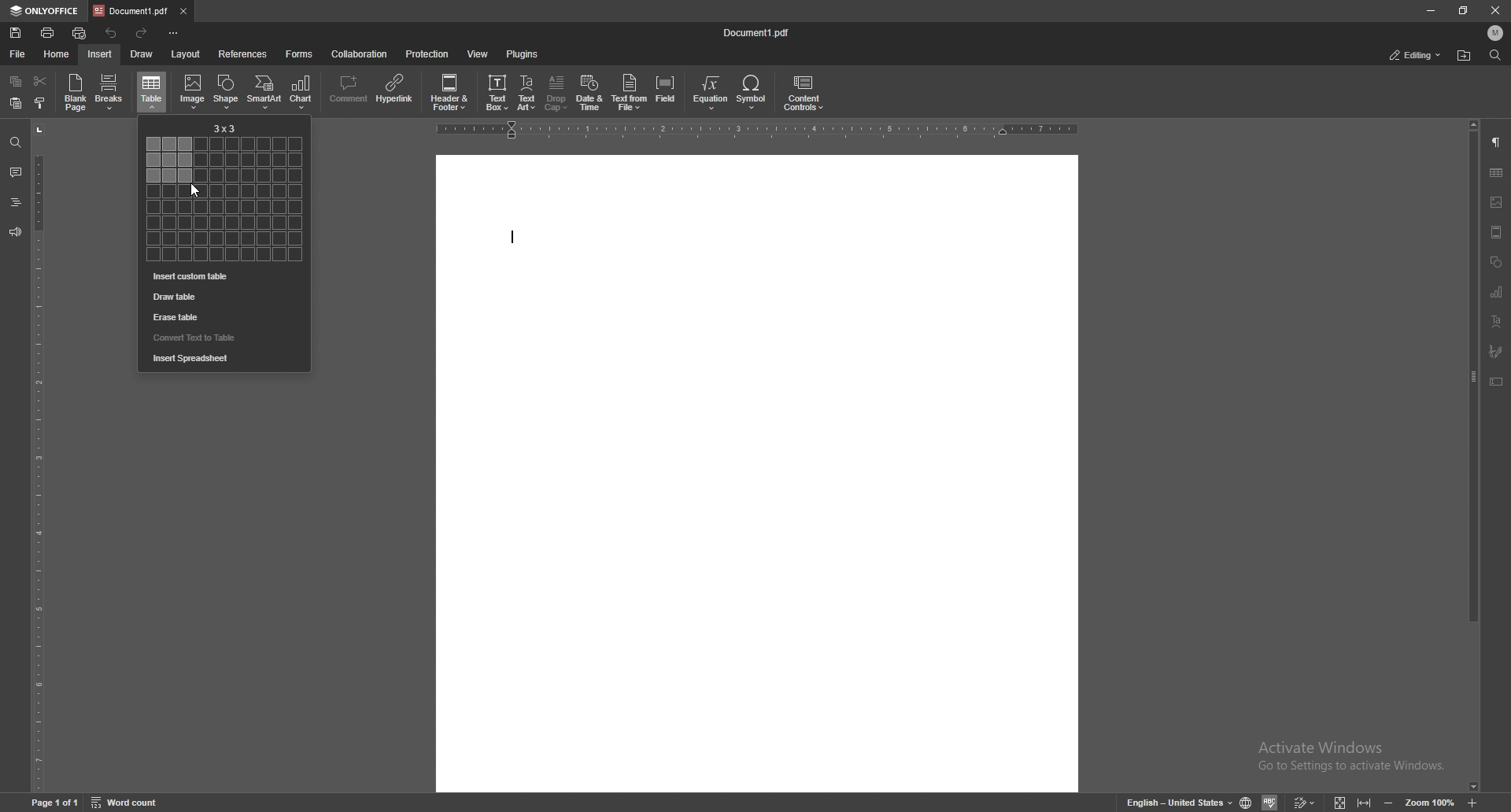 This screenshot has width=1511, height=812. What do you see at coordinates (754, 474) in the screenshot?
I see `document` at bounding box center [754, 474].